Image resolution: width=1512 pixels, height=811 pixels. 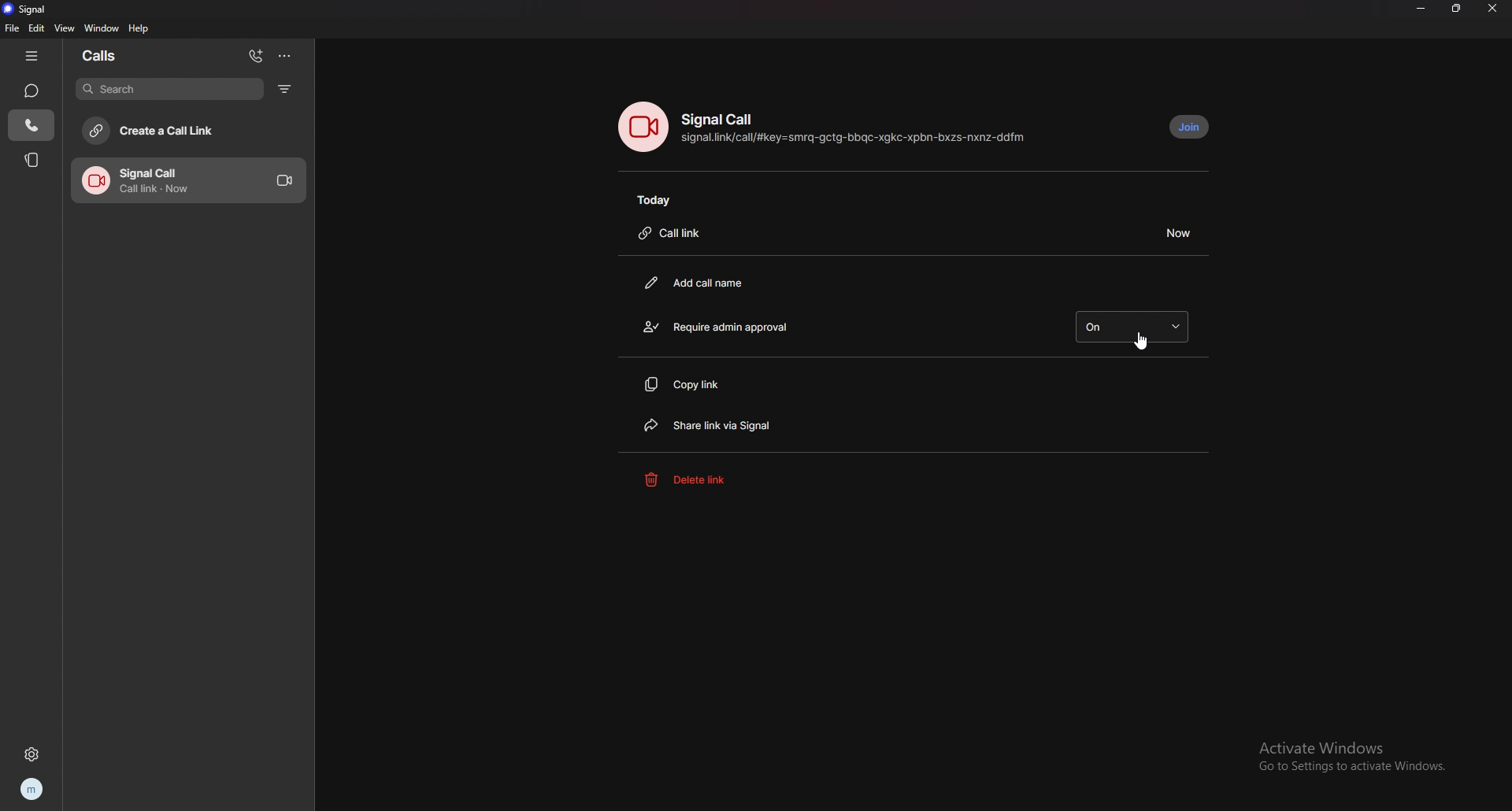 I want to click on options, so click(x=283, y=56).